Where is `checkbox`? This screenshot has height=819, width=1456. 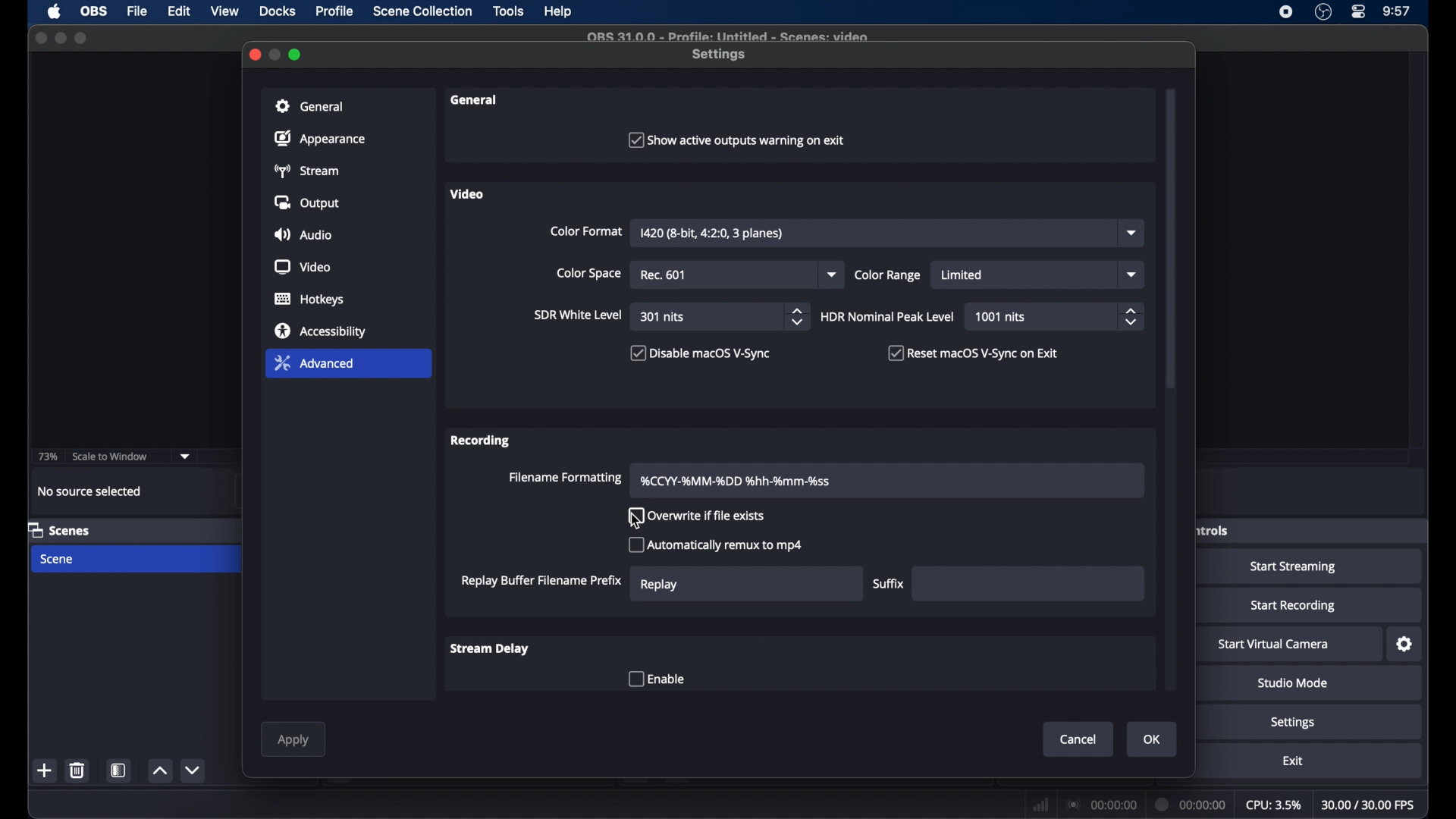 checkbox is located at coordinates (656, 679).